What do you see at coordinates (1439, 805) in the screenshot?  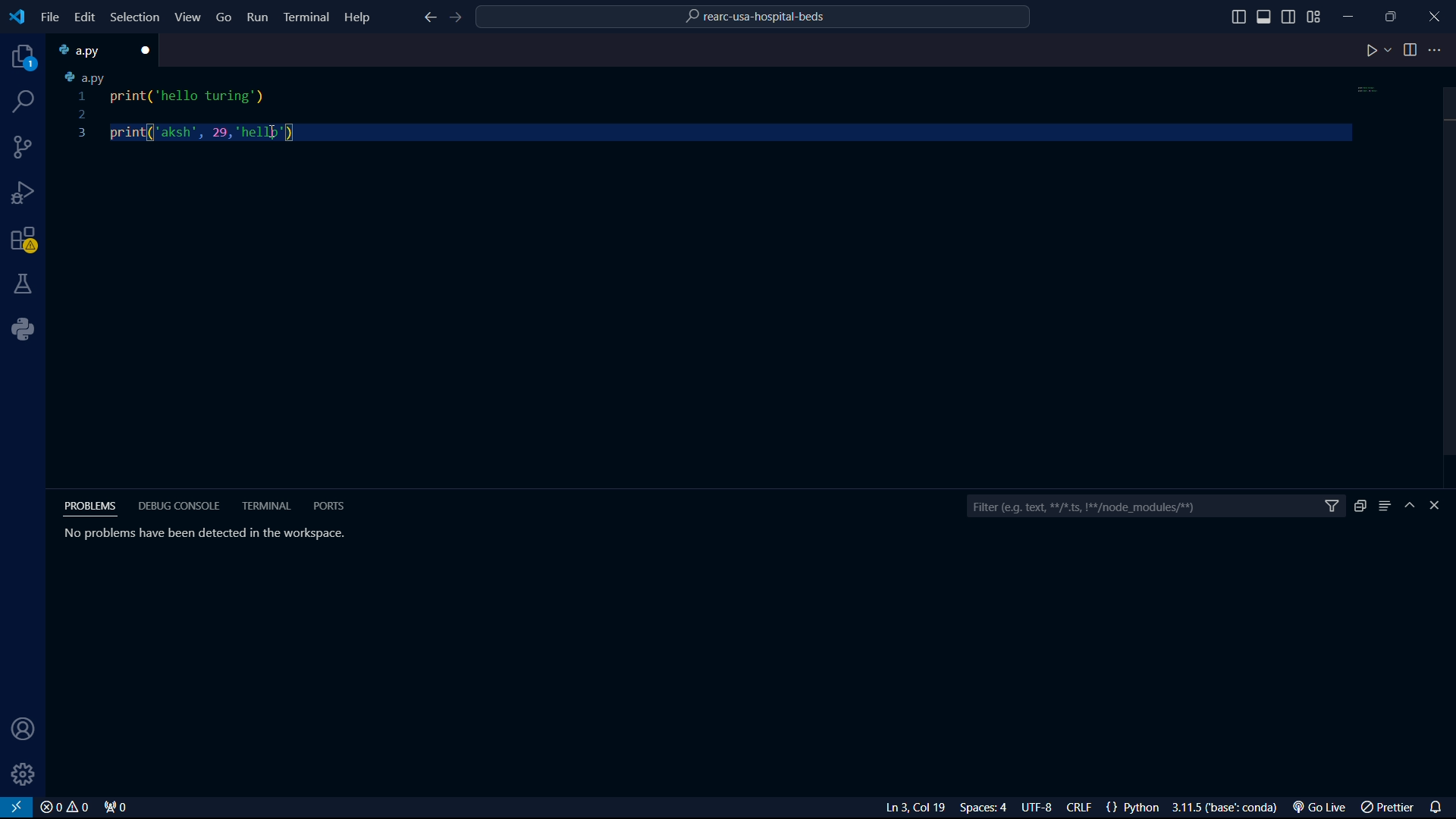 I see `notifications` at bounding box center [1439, 805].